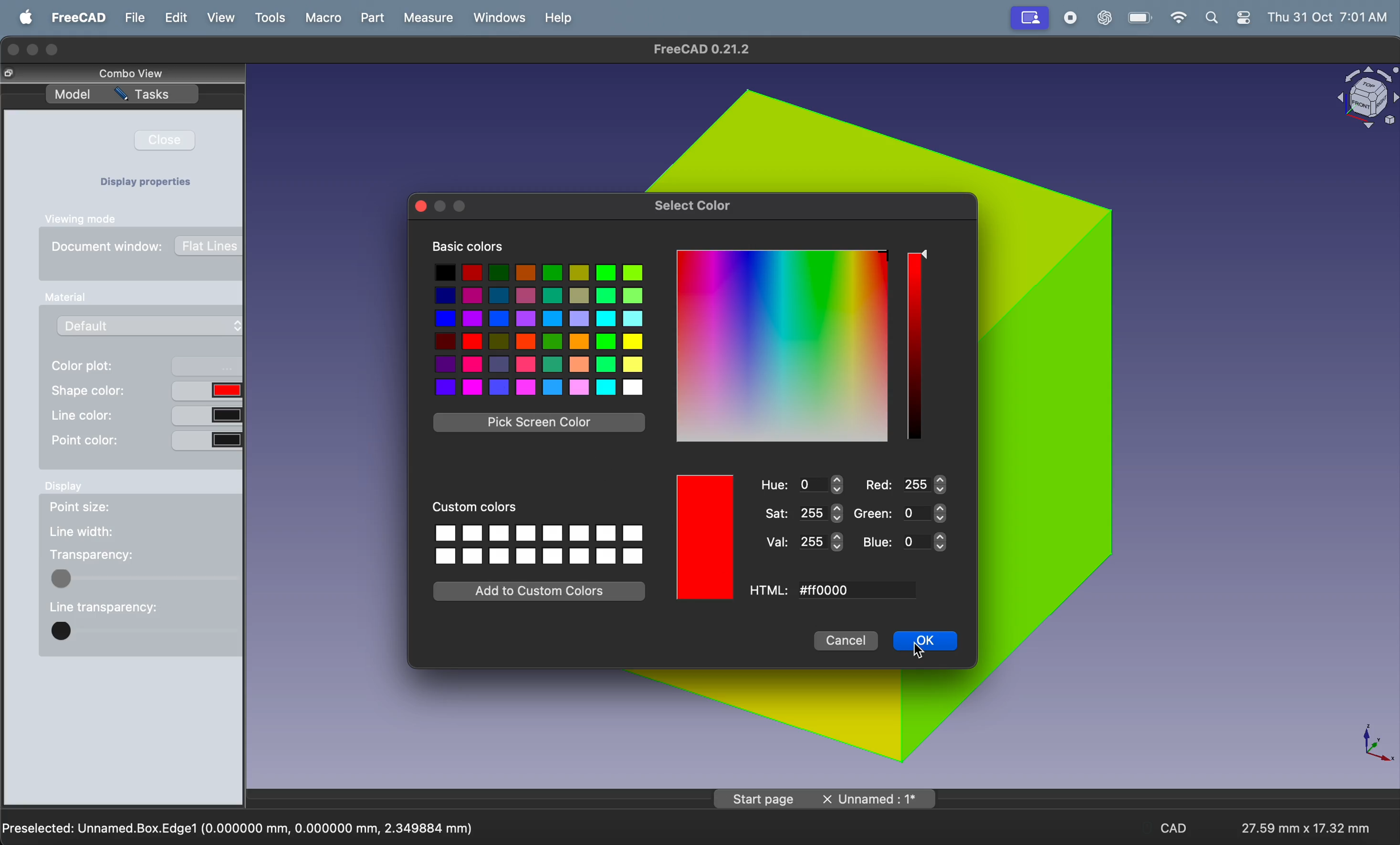  I want to click on basic color, so click(471, 247).